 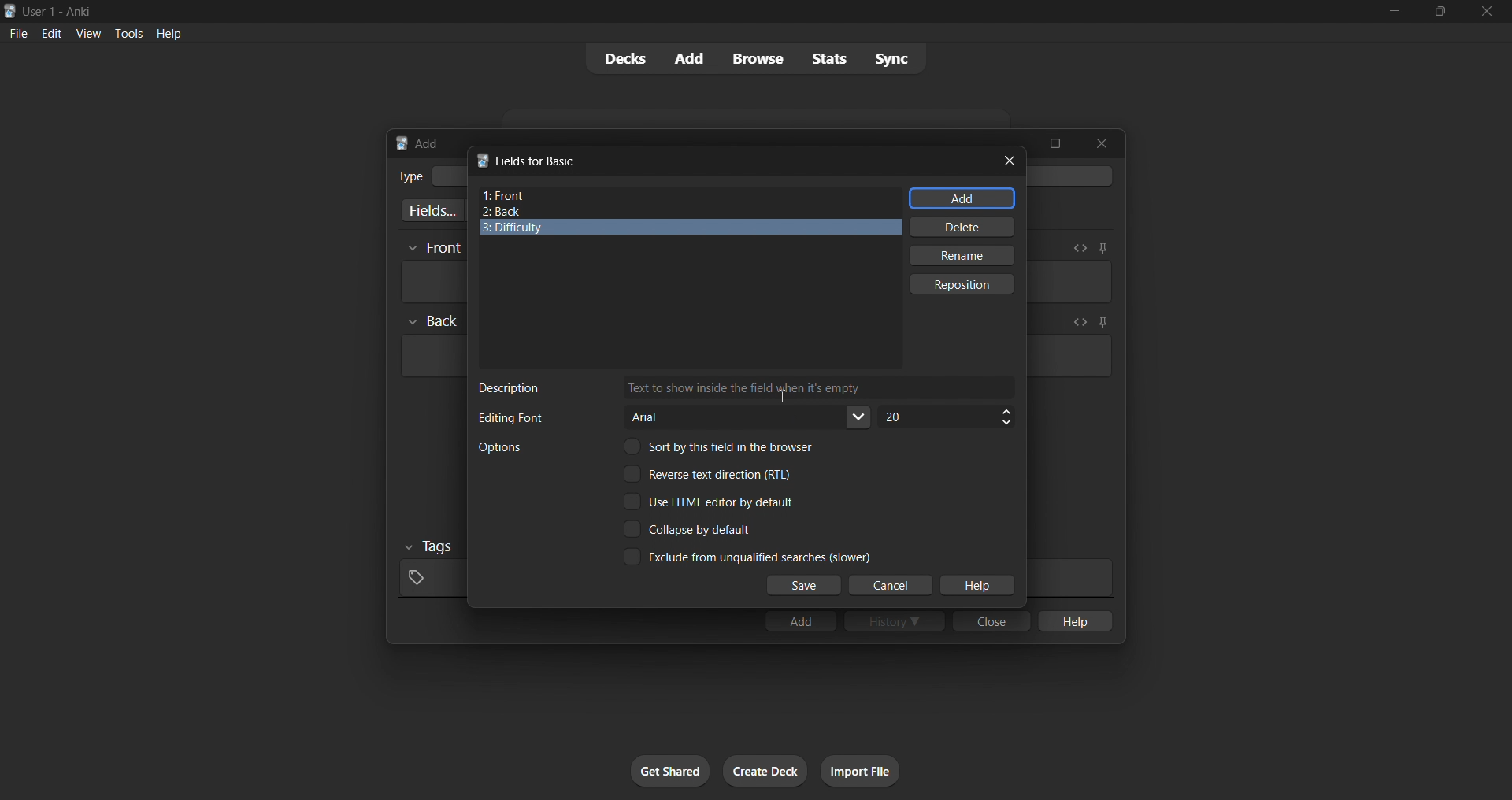 I want to click on customize fields title bar, so click(x=538, y=161).